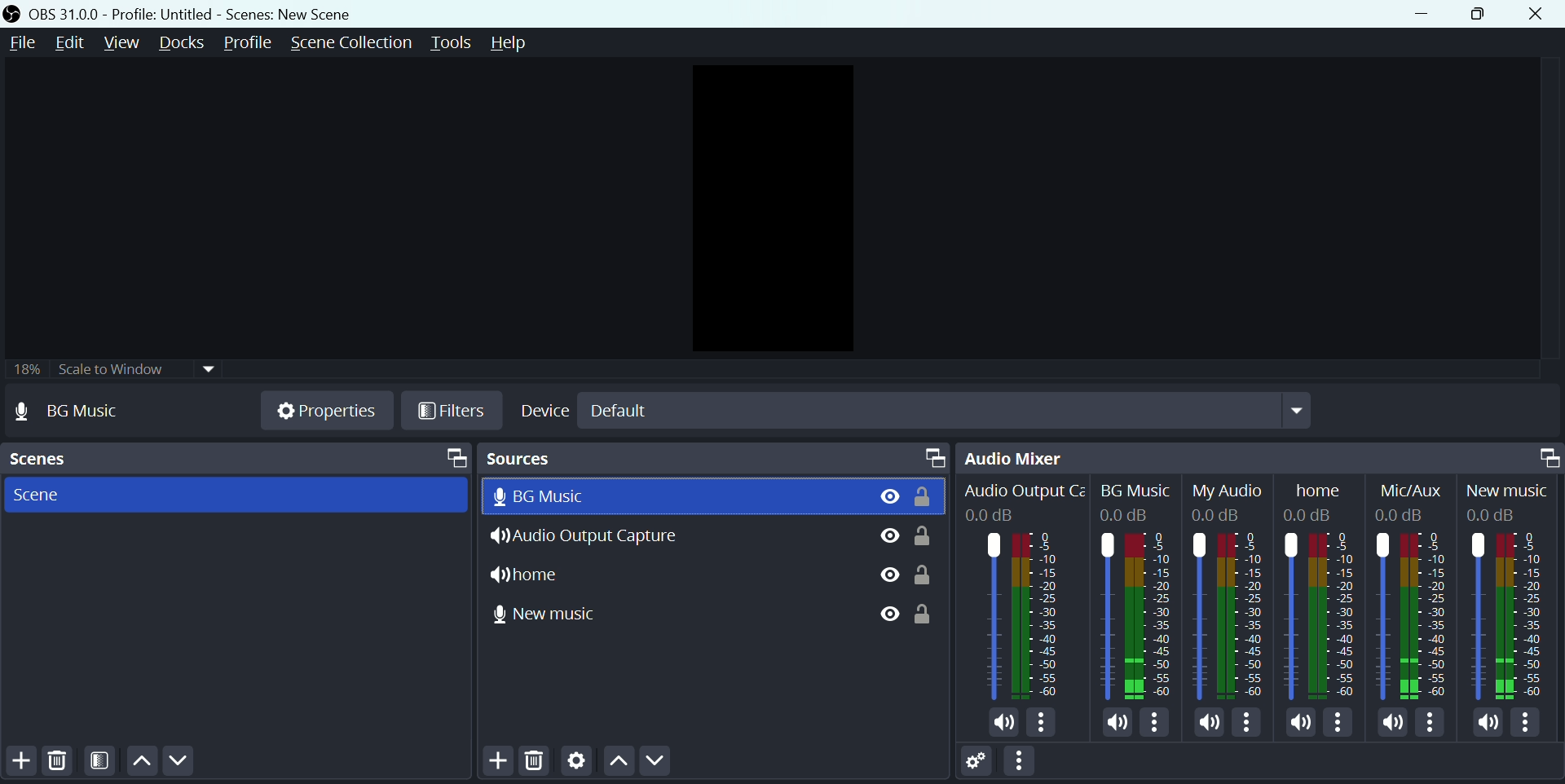 The width and height of the screenshot is (1565, 784). Describe the element at coordinates (561, 572) in the screenshot. I see `Home` at that location.